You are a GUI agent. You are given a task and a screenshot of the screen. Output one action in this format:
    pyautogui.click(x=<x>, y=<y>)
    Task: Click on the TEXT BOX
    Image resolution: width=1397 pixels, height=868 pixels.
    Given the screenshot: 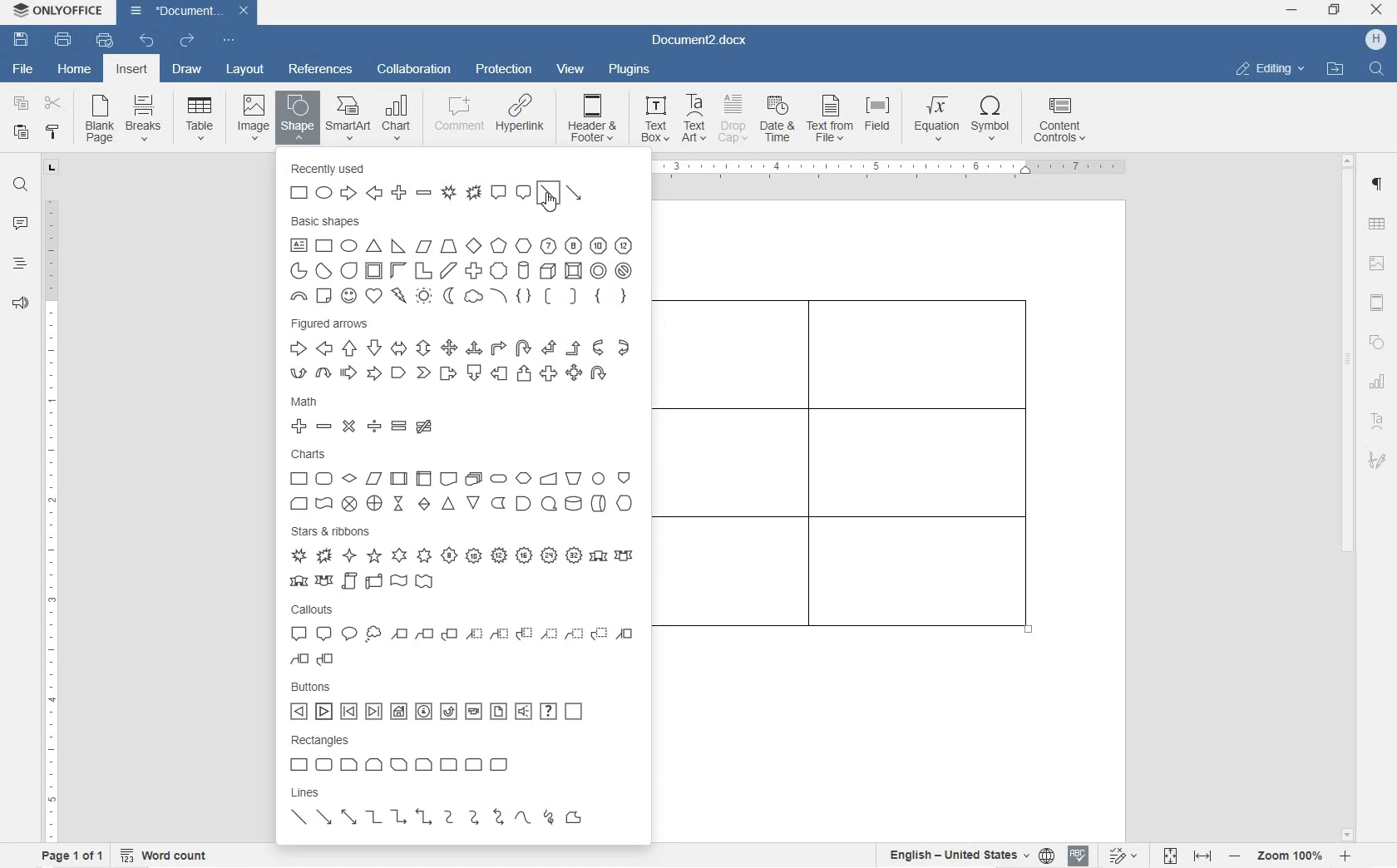 What is the action you would take?
    pyautogui.click(x=653, y=121)
    